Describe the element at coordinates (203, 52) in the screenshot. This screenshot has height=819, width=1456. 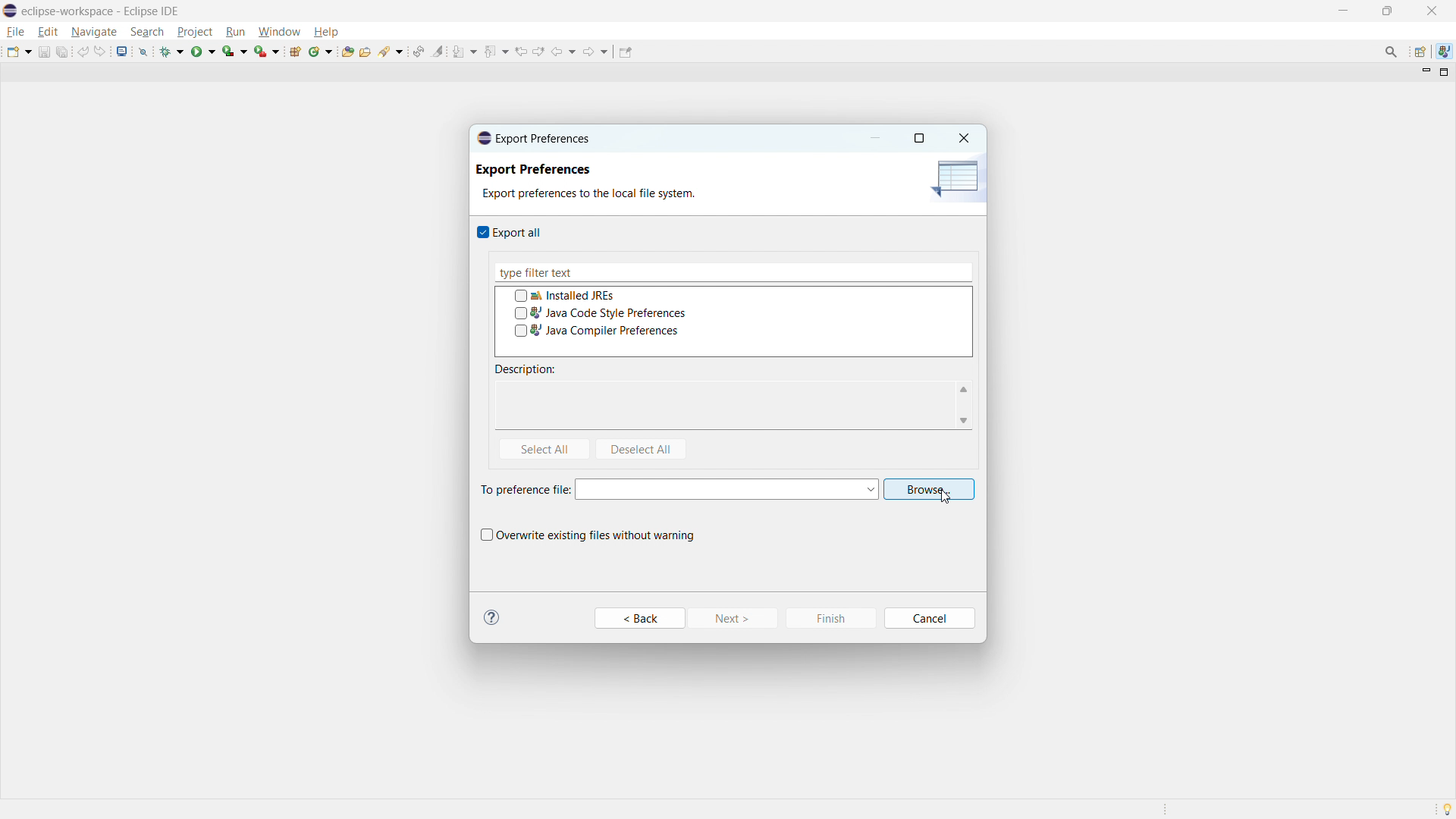
I see `run` at that location.